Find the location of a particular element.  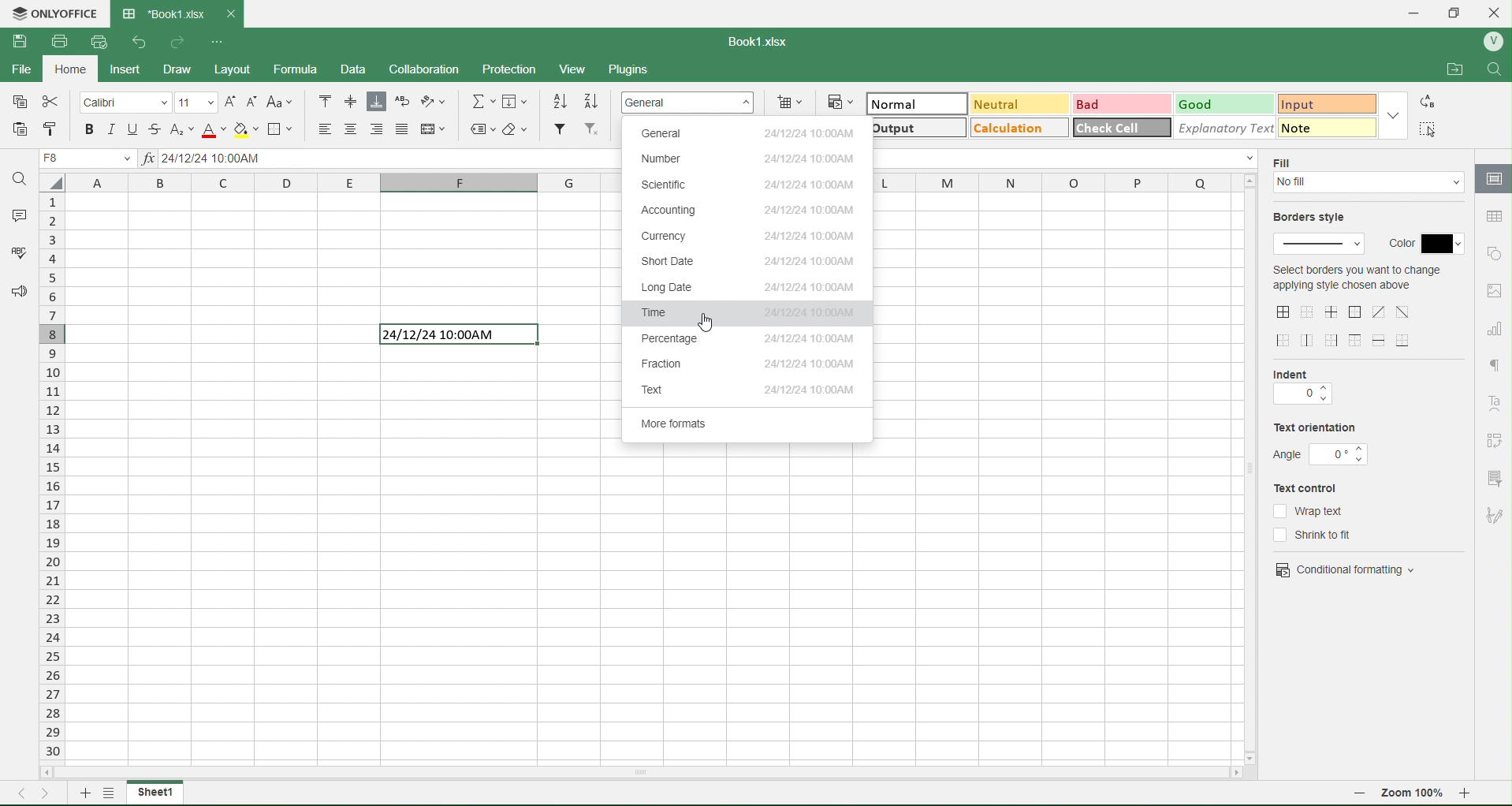

General is located at coordinates (749, 135).